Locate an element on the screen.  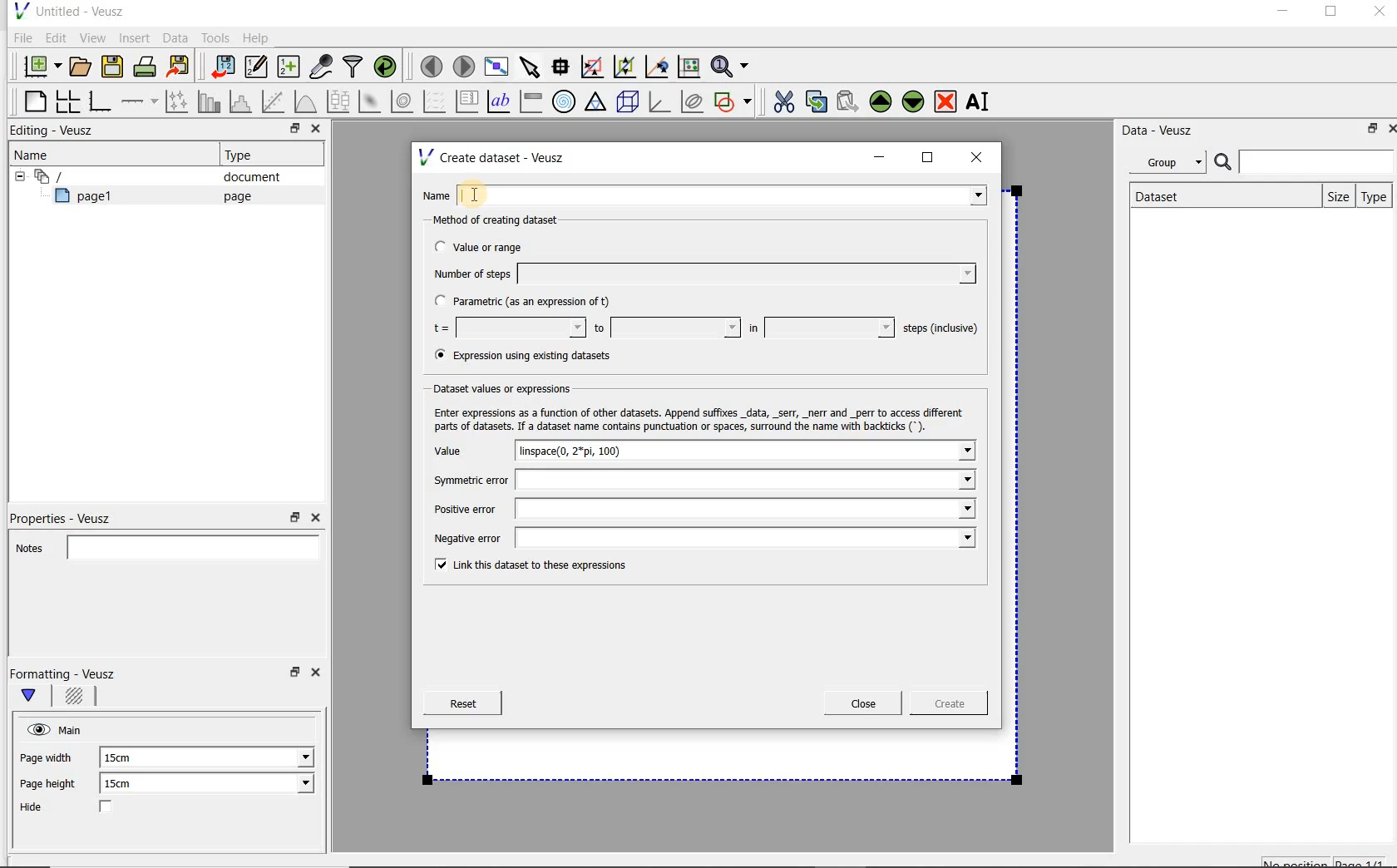
plot covariance ellipses is located at coordinates (693, 101).